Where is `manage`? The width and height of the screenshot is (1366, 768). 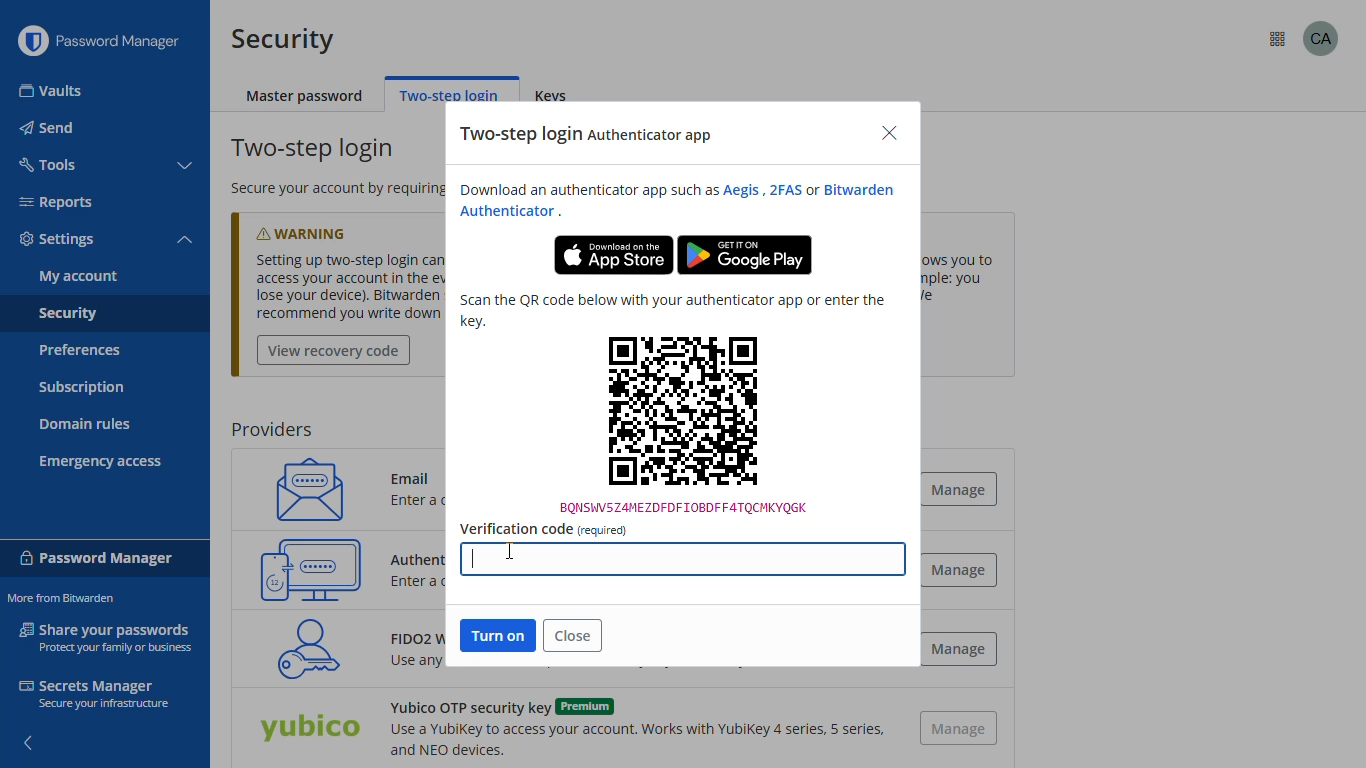
manage is located at coordinates (959, 569).